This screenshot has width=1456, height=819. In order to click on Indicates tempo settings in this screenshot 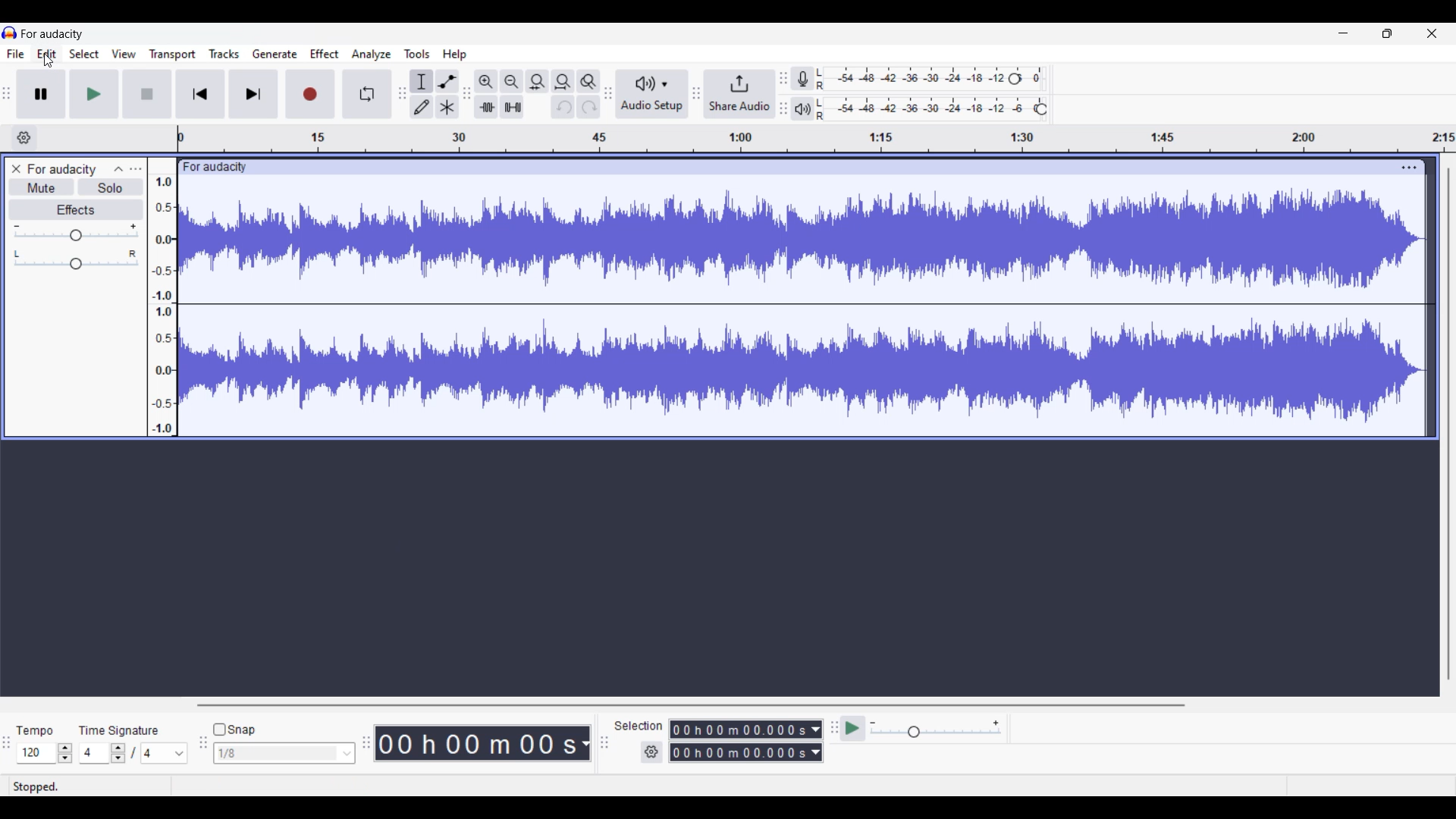, I will do `click(35, 731)`.